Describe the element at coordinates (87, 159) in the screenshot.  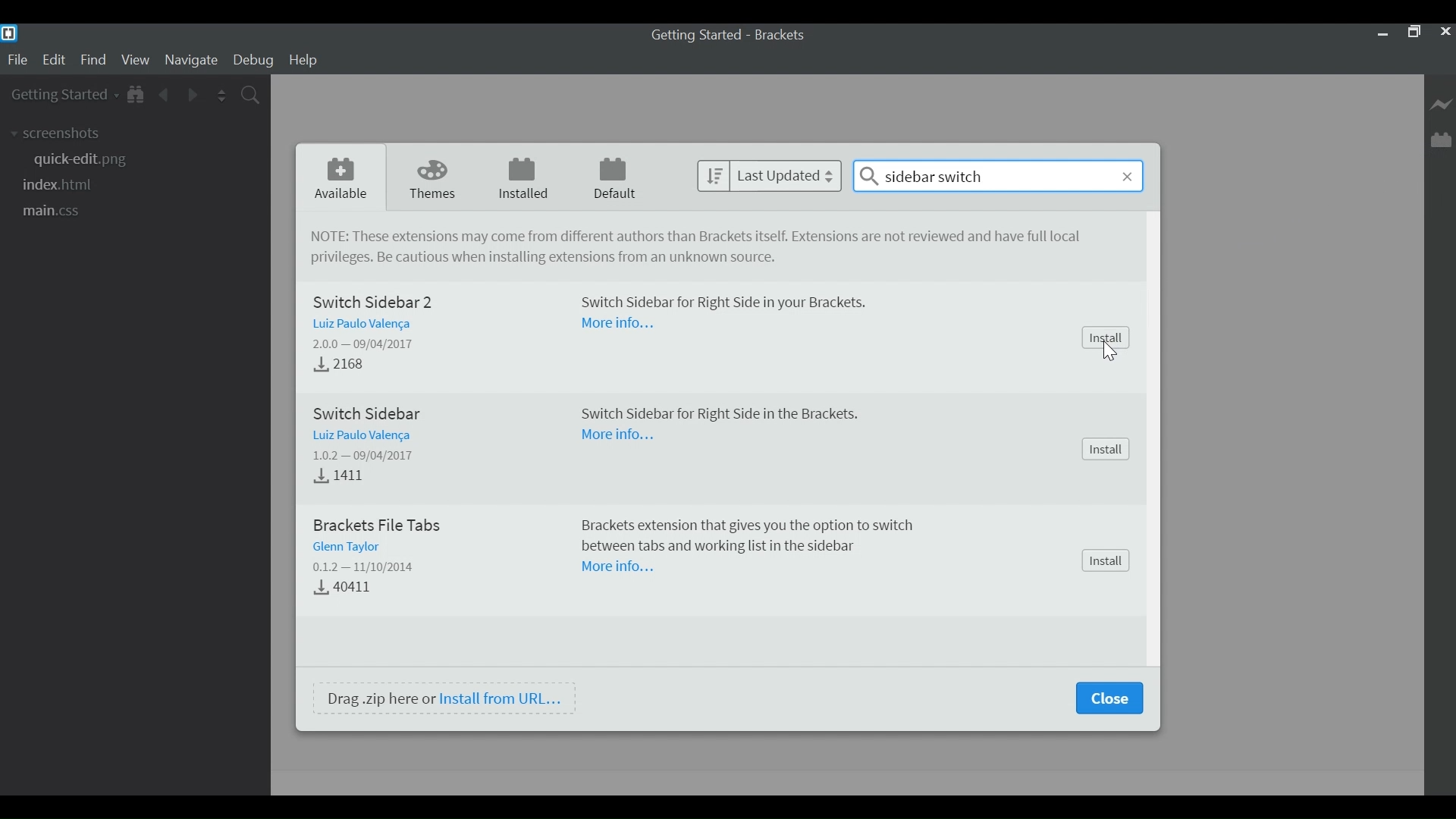
I see `quick-edit.png` at that location.